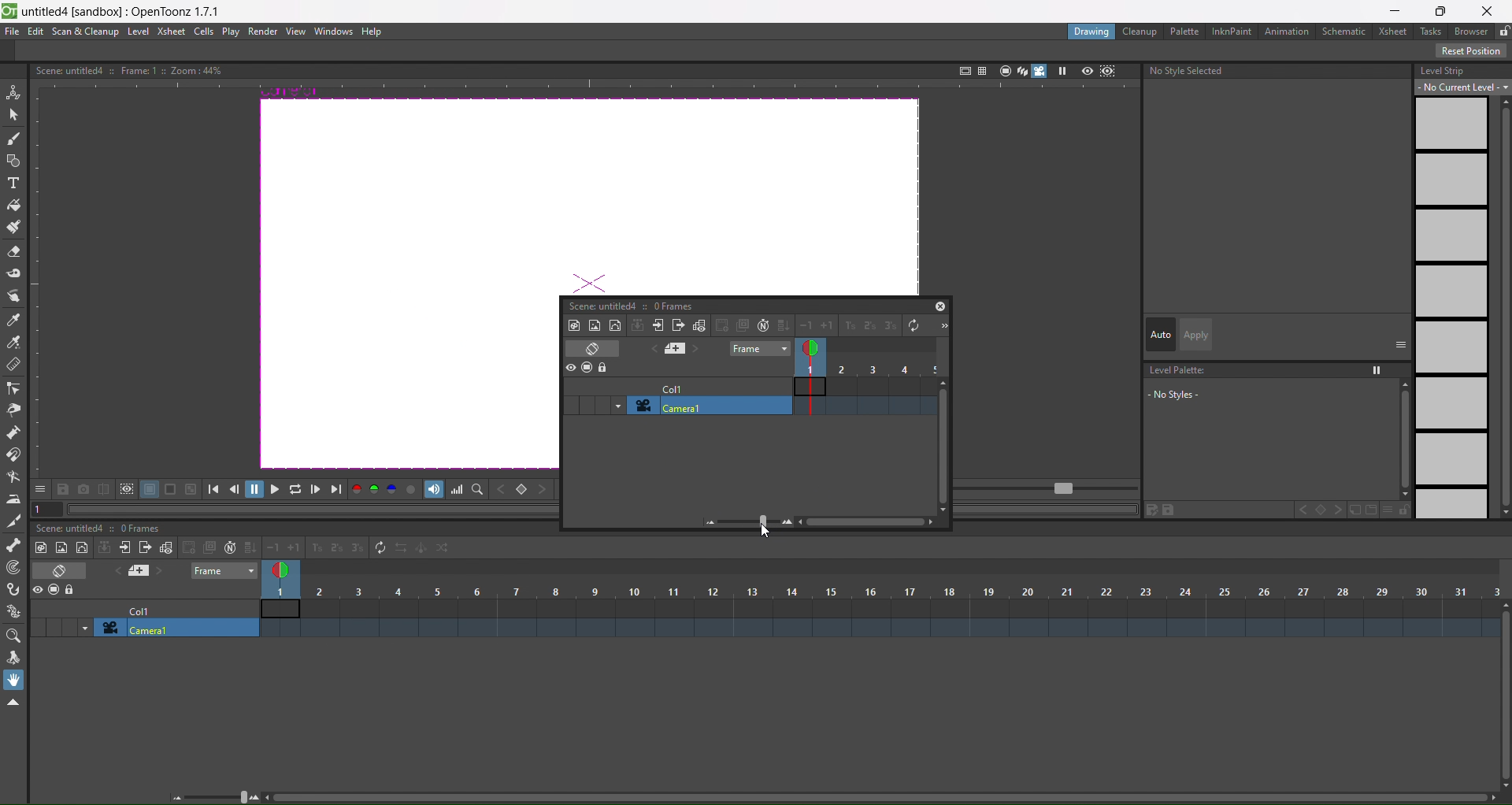  What do you see at coordinates (638, 325) in the screenshot?
I see `collapse` at bounding box center [638, 325].